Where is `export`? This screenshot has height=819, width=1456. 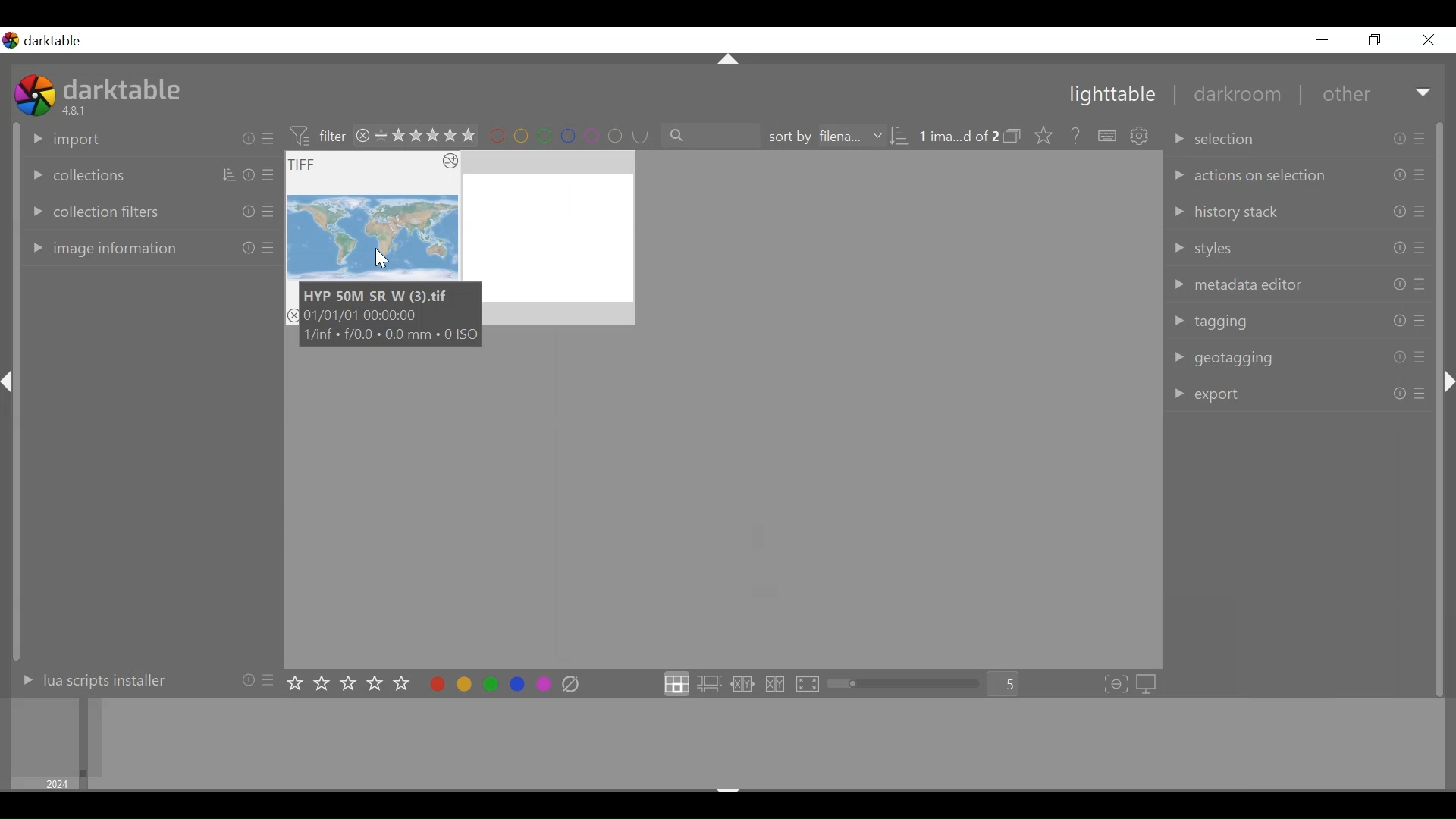 export is located at coordinates (1298, 393).